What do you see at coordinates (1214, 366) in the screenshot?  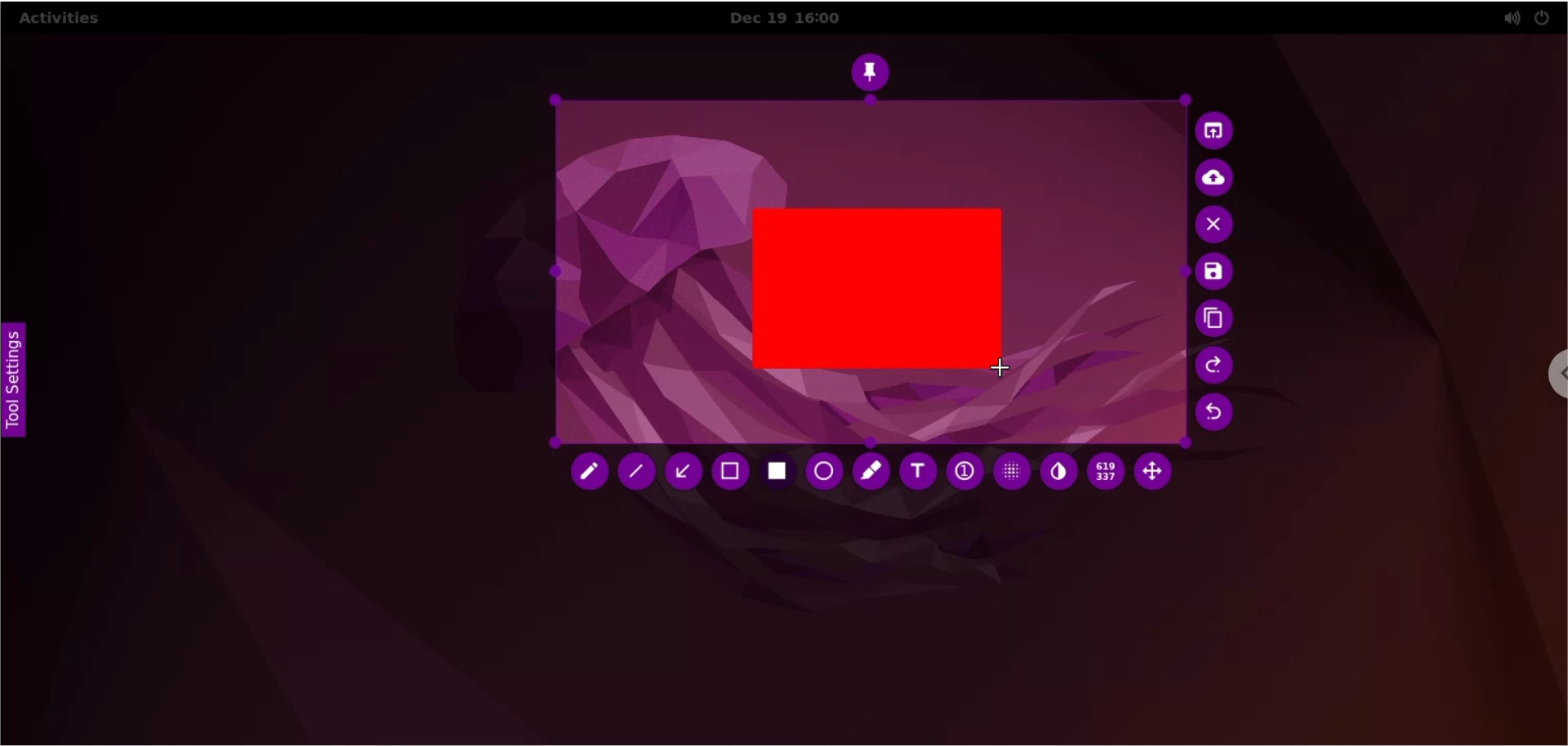 I see `redo` at bounding box center [1214, 366].